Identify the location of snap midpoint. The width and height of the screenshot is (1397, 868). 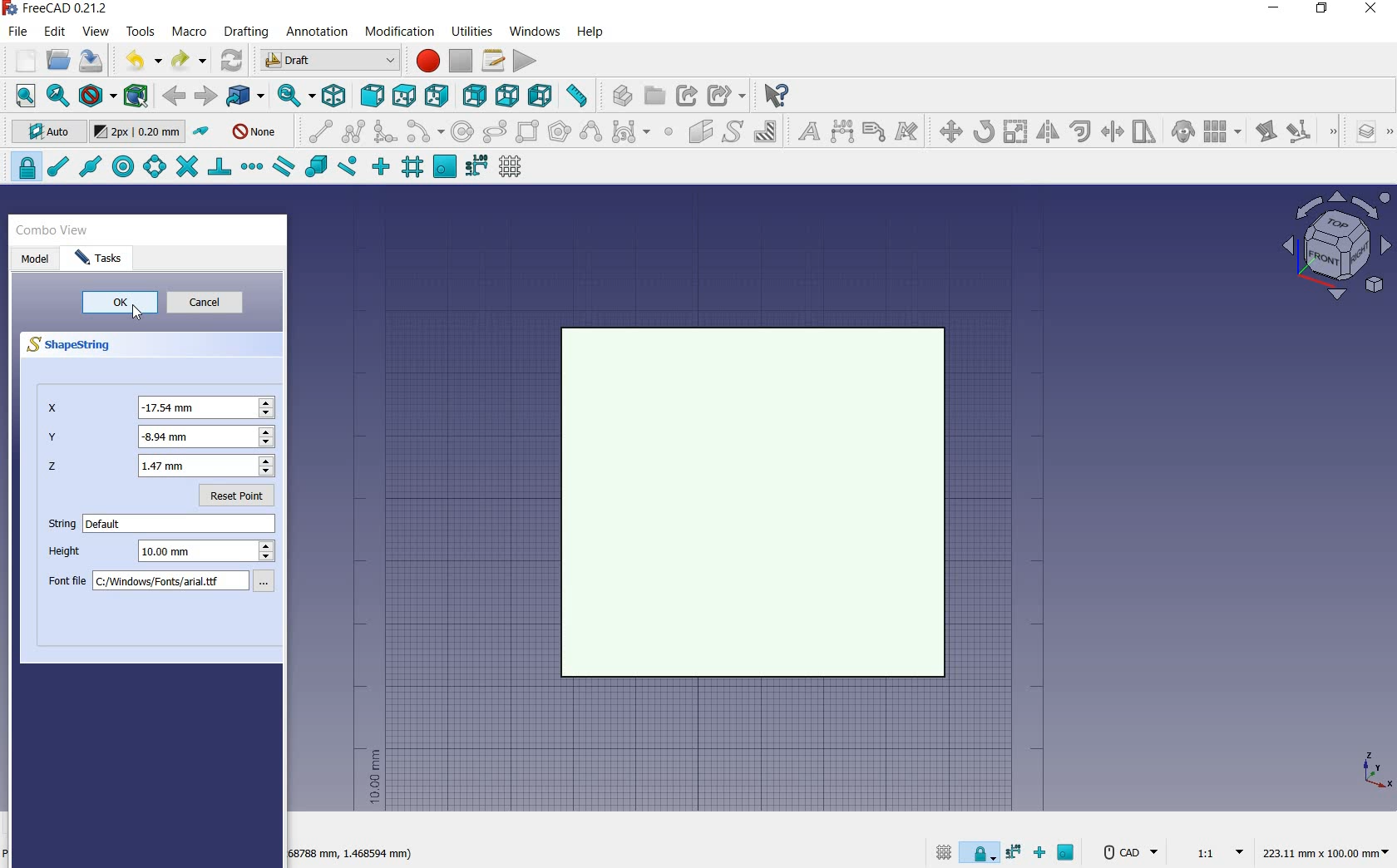
(89, 165).